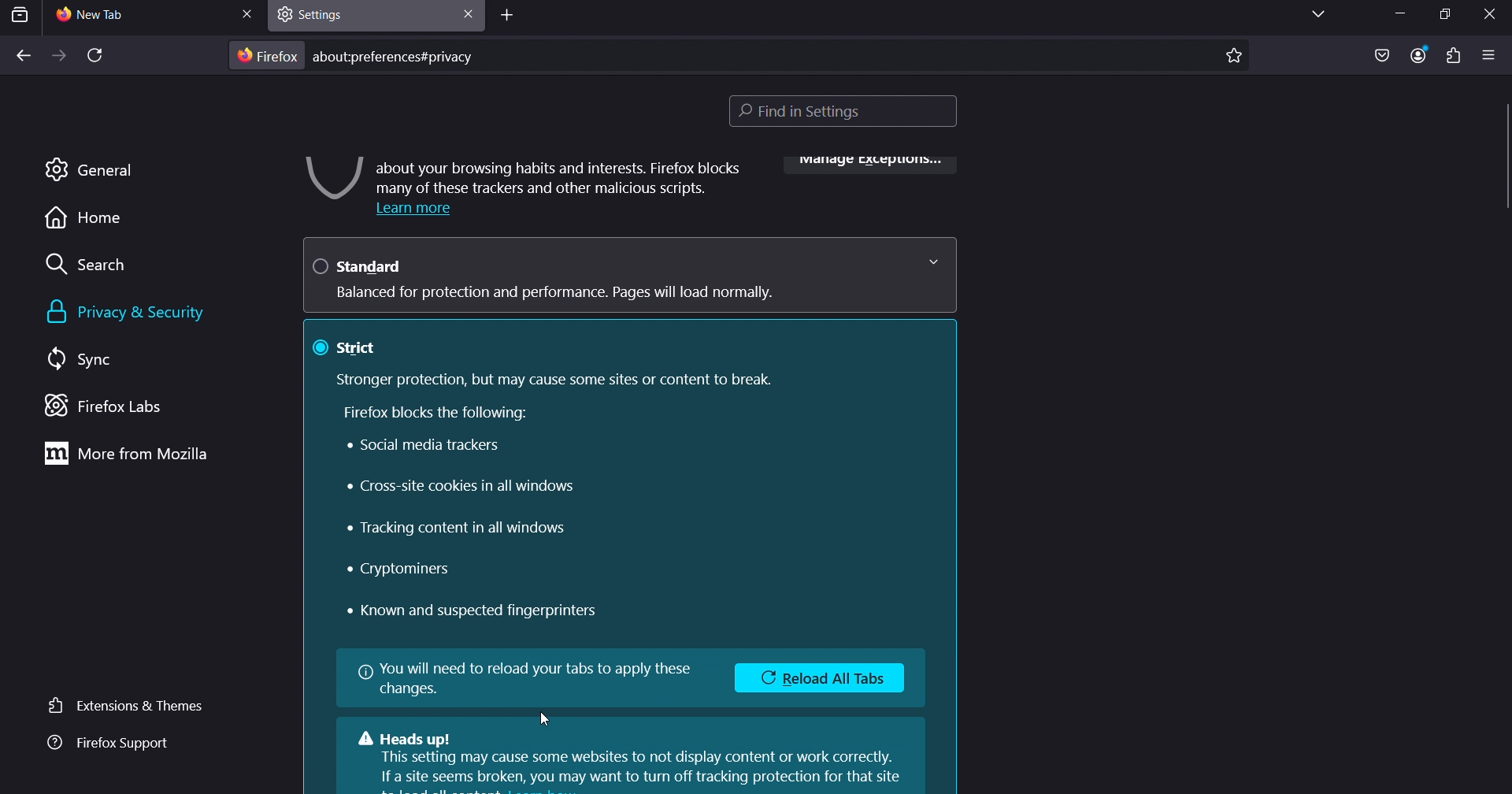  What do you see at coordinates (20, 15) in the screenshot?
I see `search tab` at bounding box center [20, 15].